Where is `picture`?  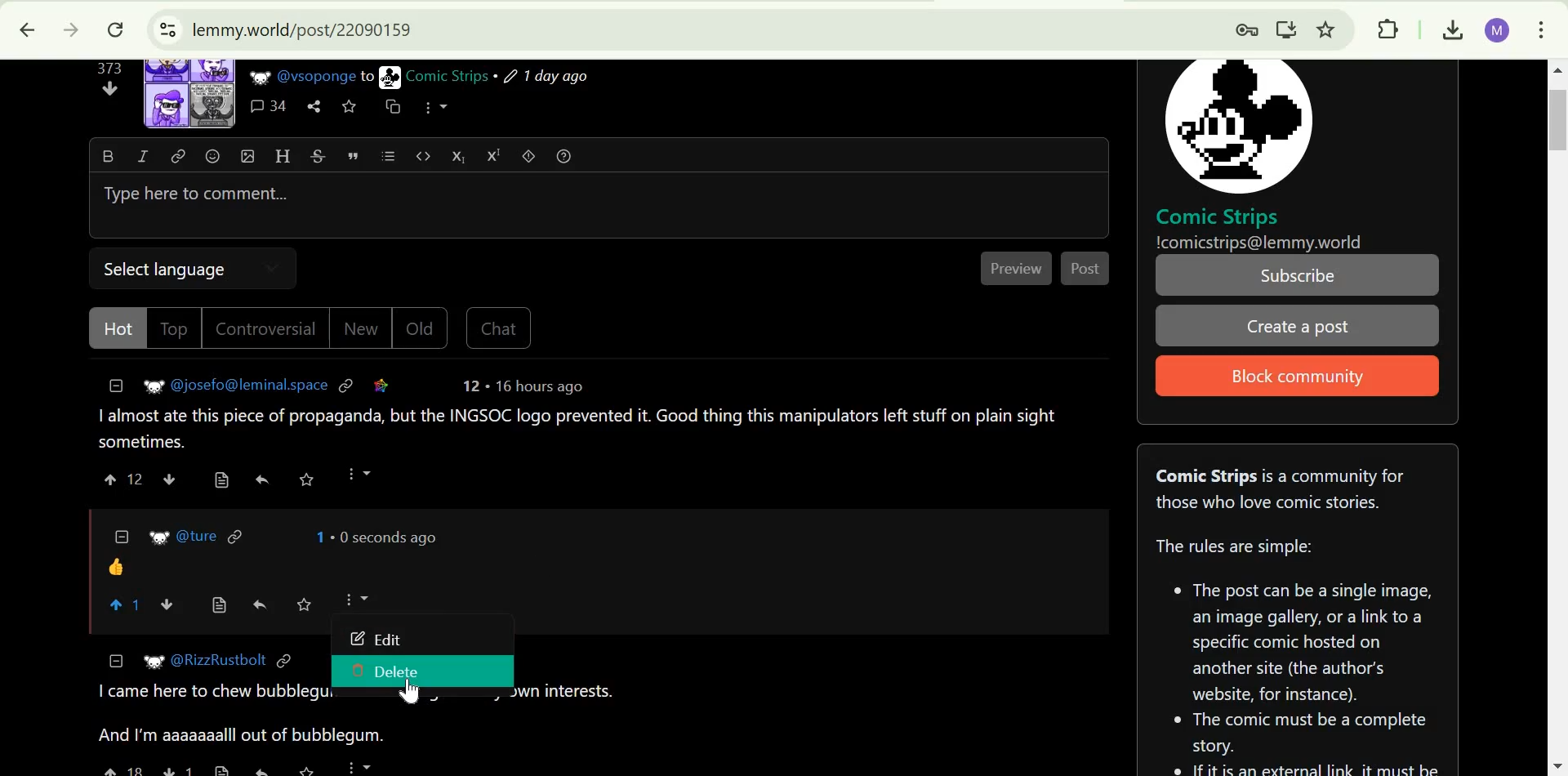
picture is located at coordinates (150, 662).